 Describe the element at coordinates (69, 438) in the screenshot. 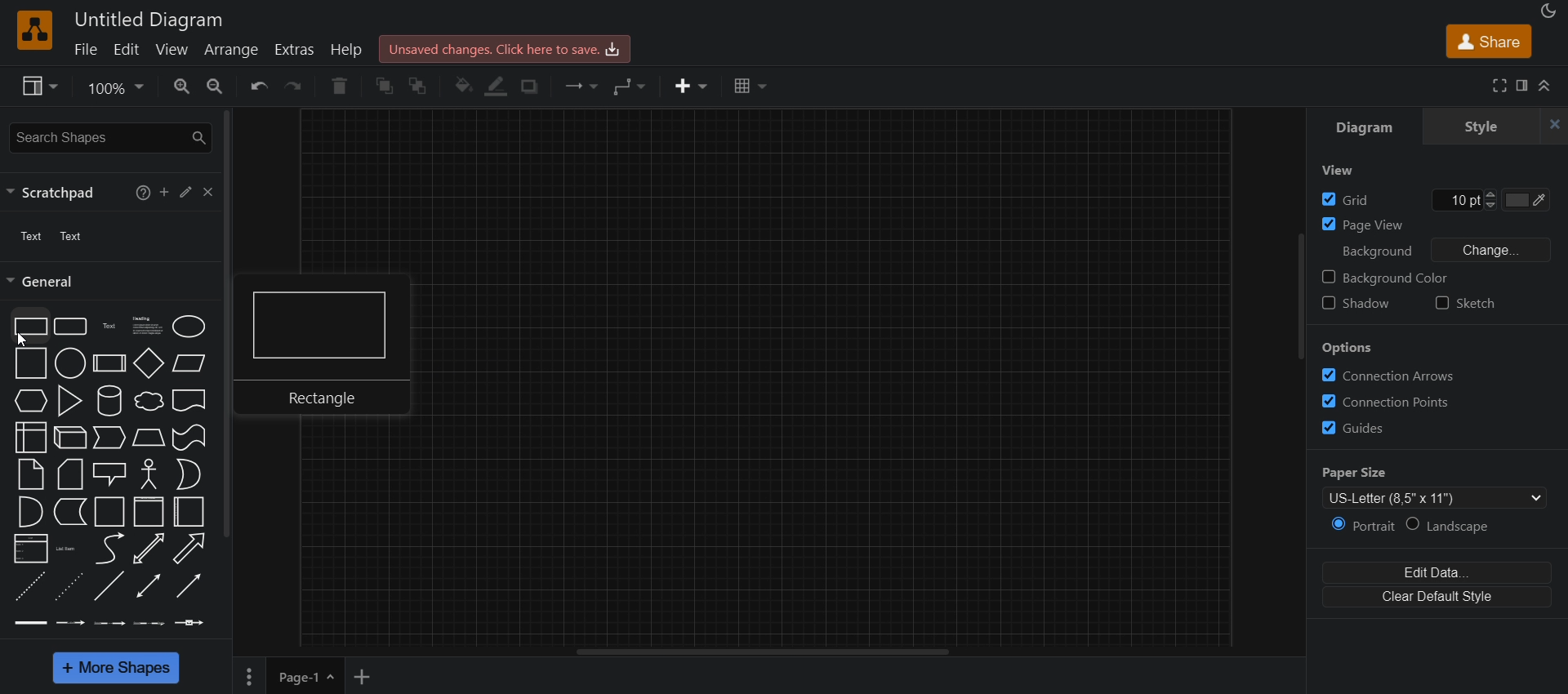

I see `cube` at that location.